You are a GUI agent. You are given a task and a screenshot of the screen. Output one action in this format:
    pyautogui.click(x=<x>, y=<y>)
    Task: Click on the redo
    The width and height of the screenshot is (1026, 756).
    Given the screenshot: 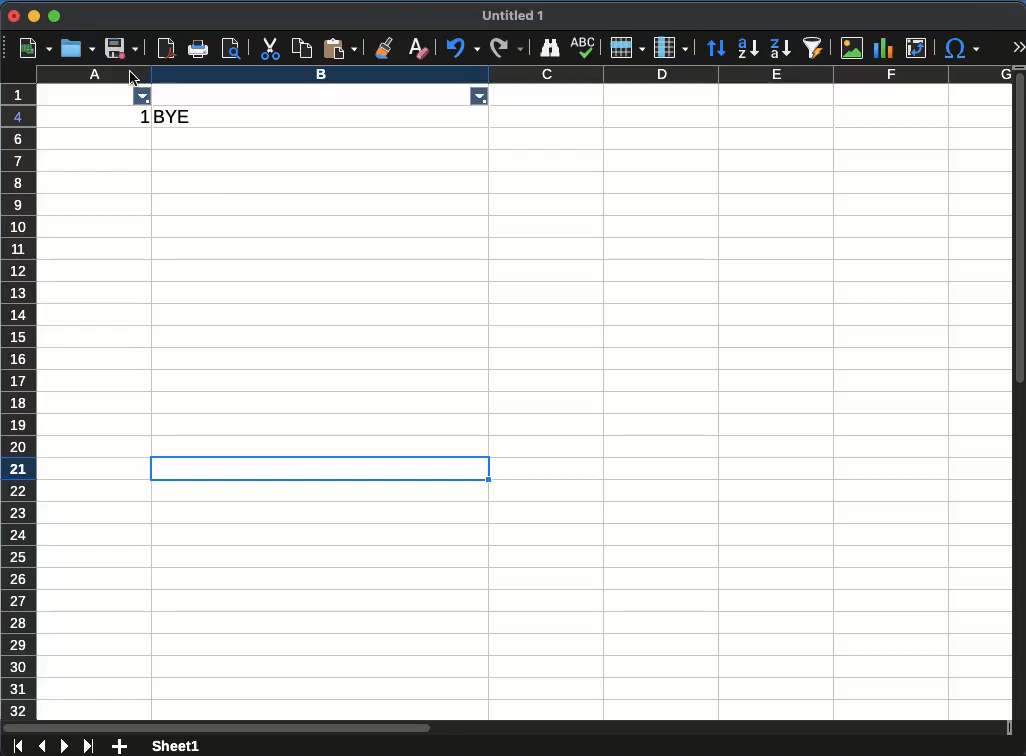 What is the action you would take?
    pyautogui.click(x=505, y=48)
    